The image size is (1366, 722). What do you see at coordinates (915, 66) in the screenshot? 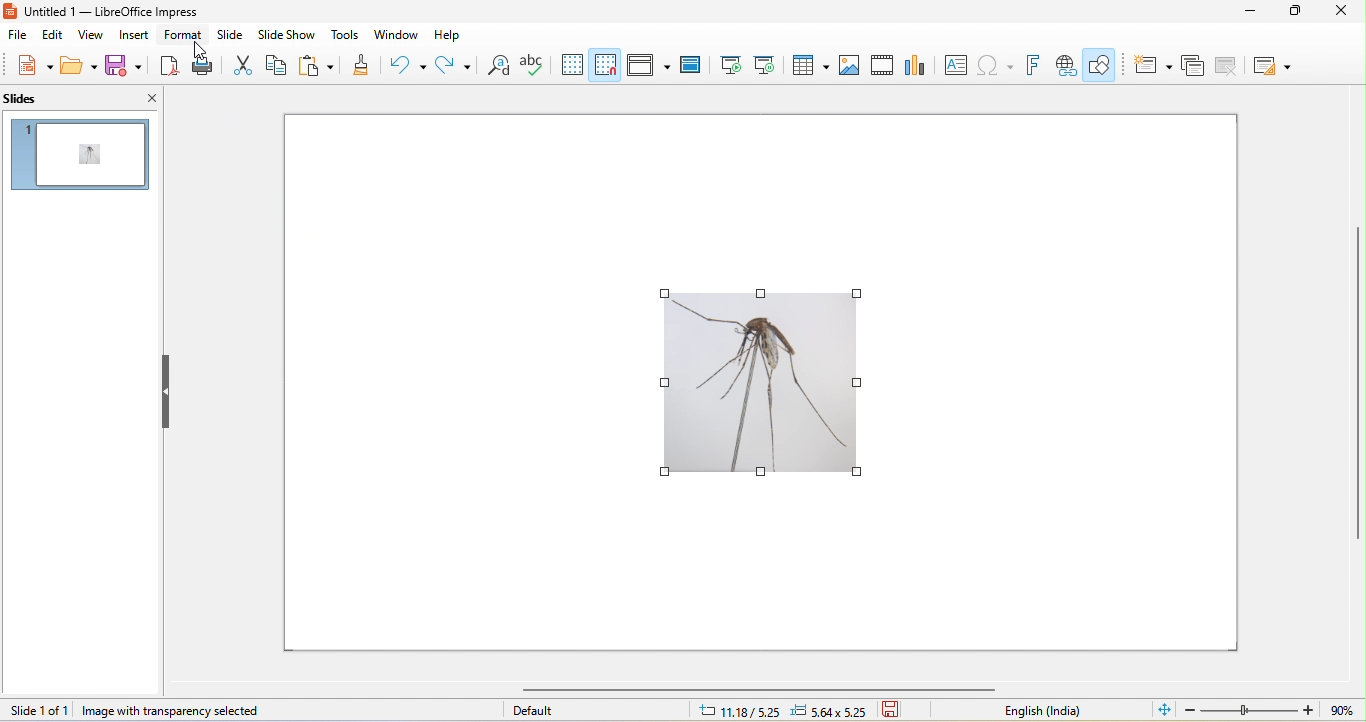
I see `chart` at bounding box center [915, 66].